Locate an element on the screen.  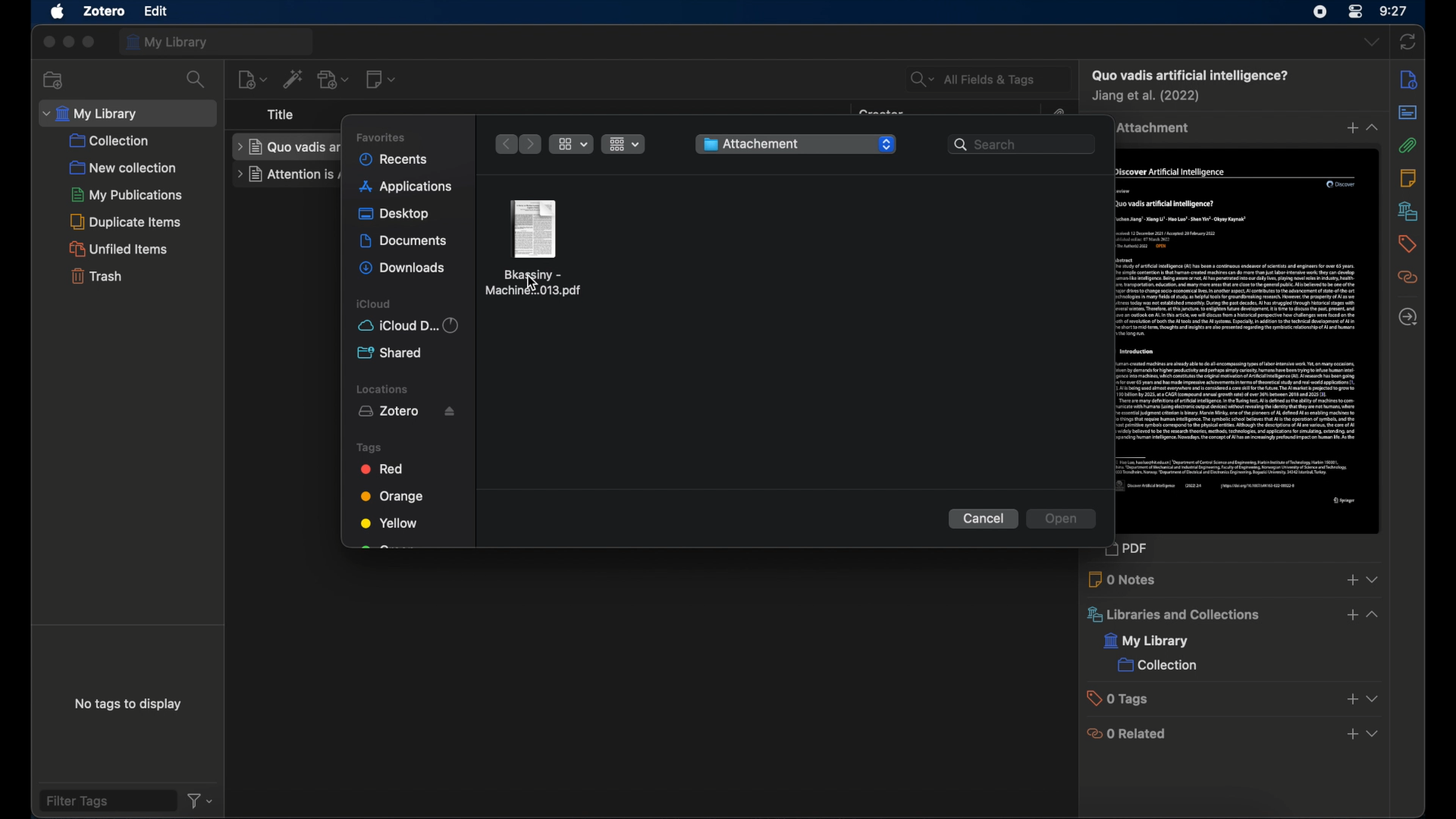
zotero is located at coordinates (409, 412).